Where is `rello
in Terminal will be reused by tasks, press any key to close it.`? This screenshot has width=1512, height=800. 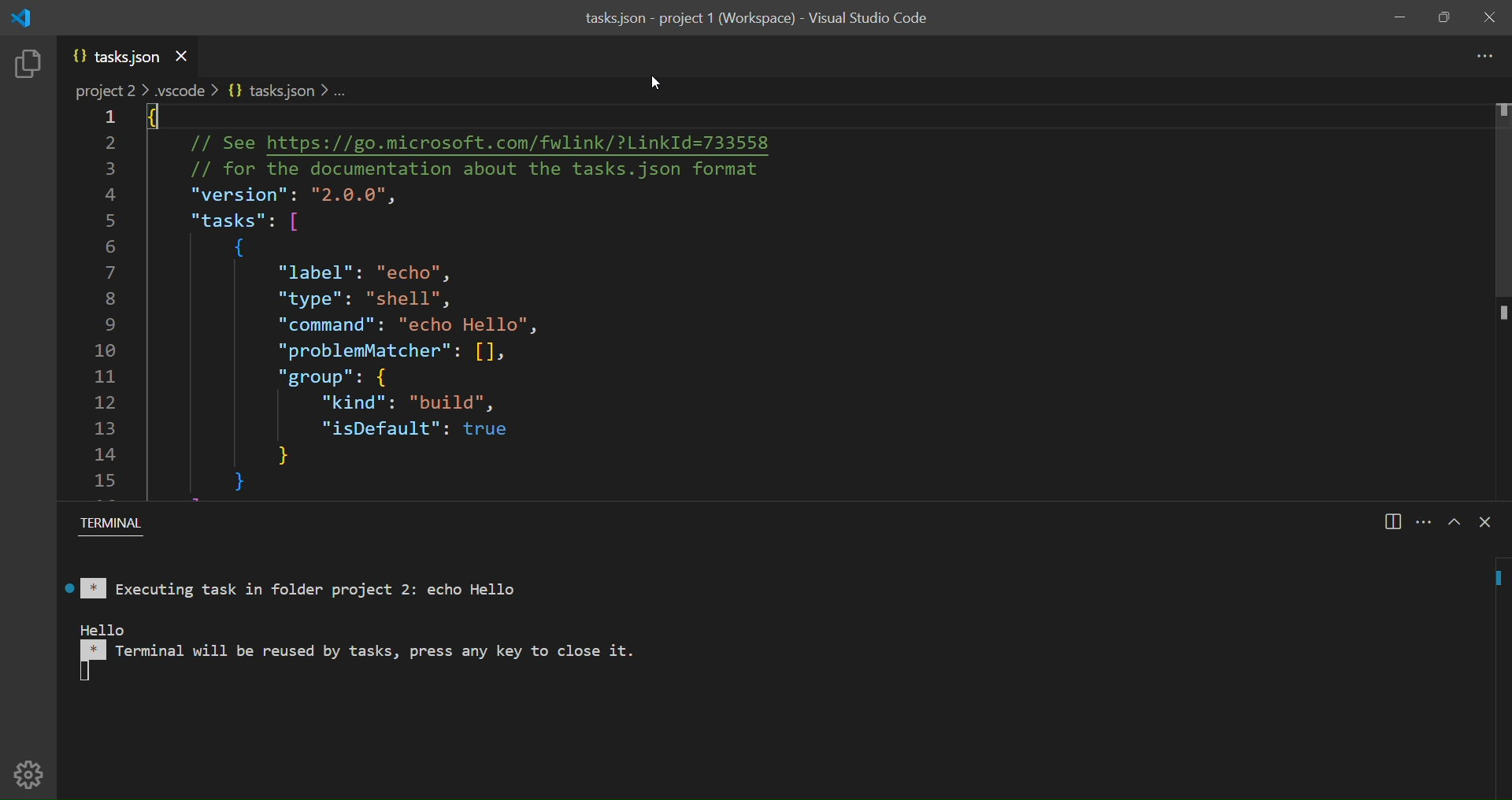 rello
in Terminal will be reused by tasks, press any key to close it. is located at coordinates (369, 661).